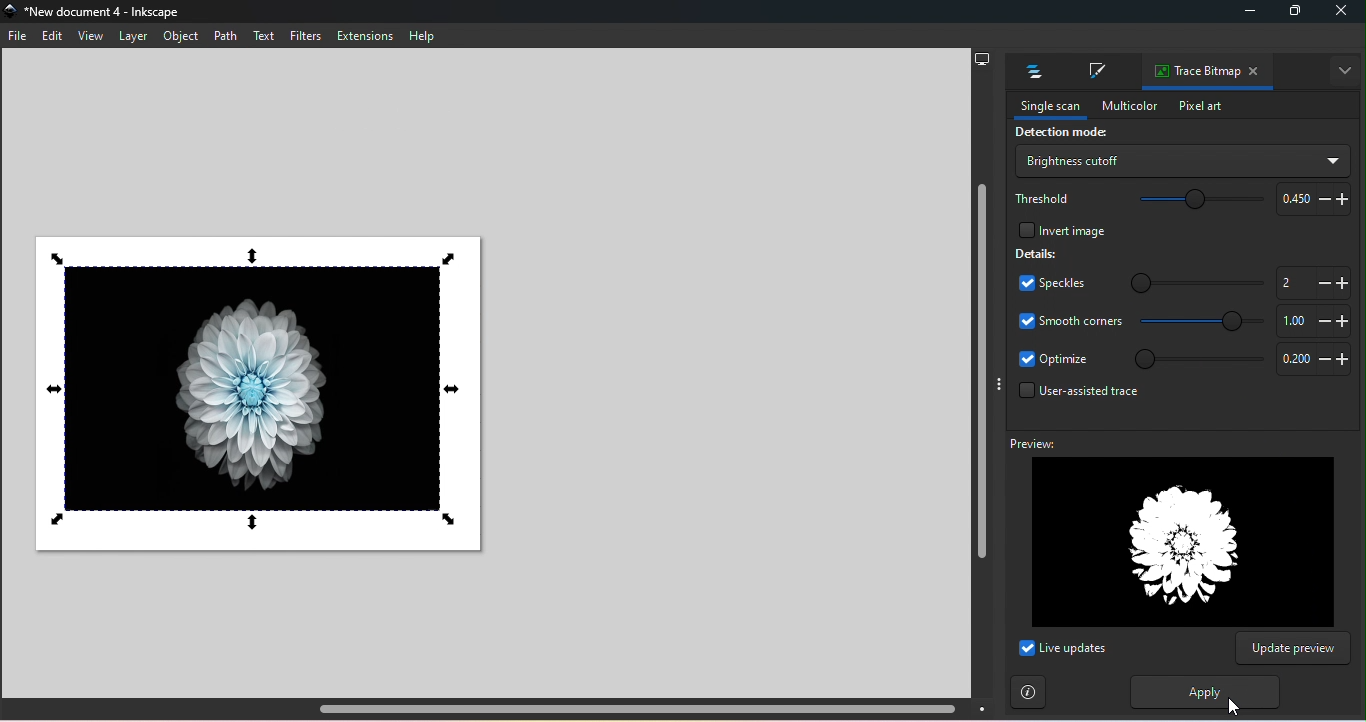  I want to click on Cursor, so click(1233, 707).